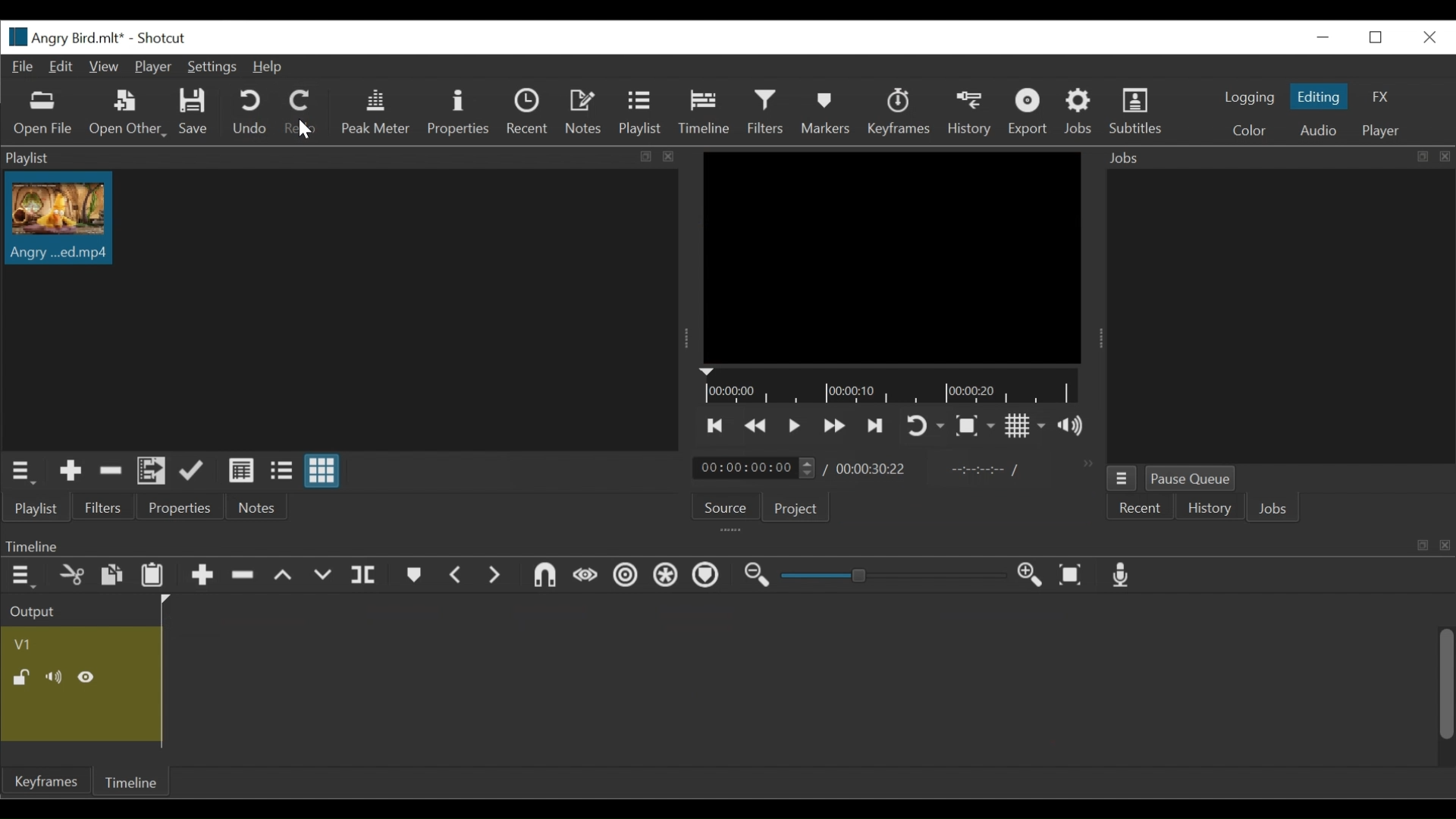 The image size is (1456, 819). Describe the element at coordinates (606, 610) in the screenshot. I see `Timeline` at that location.